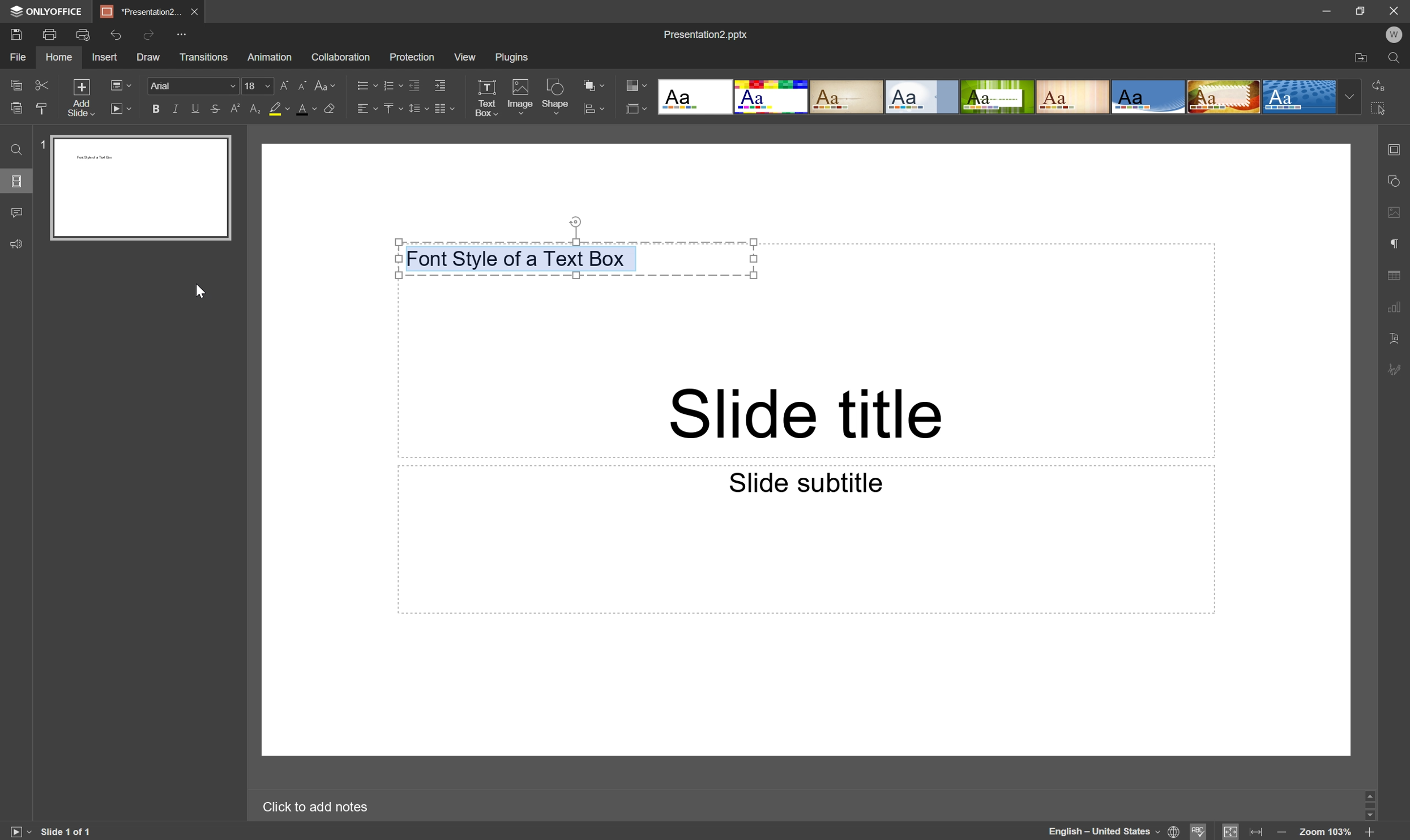  Describe the element at coordinates (17, 244) in the screenshot. I see `Feedback & Support` at that location.